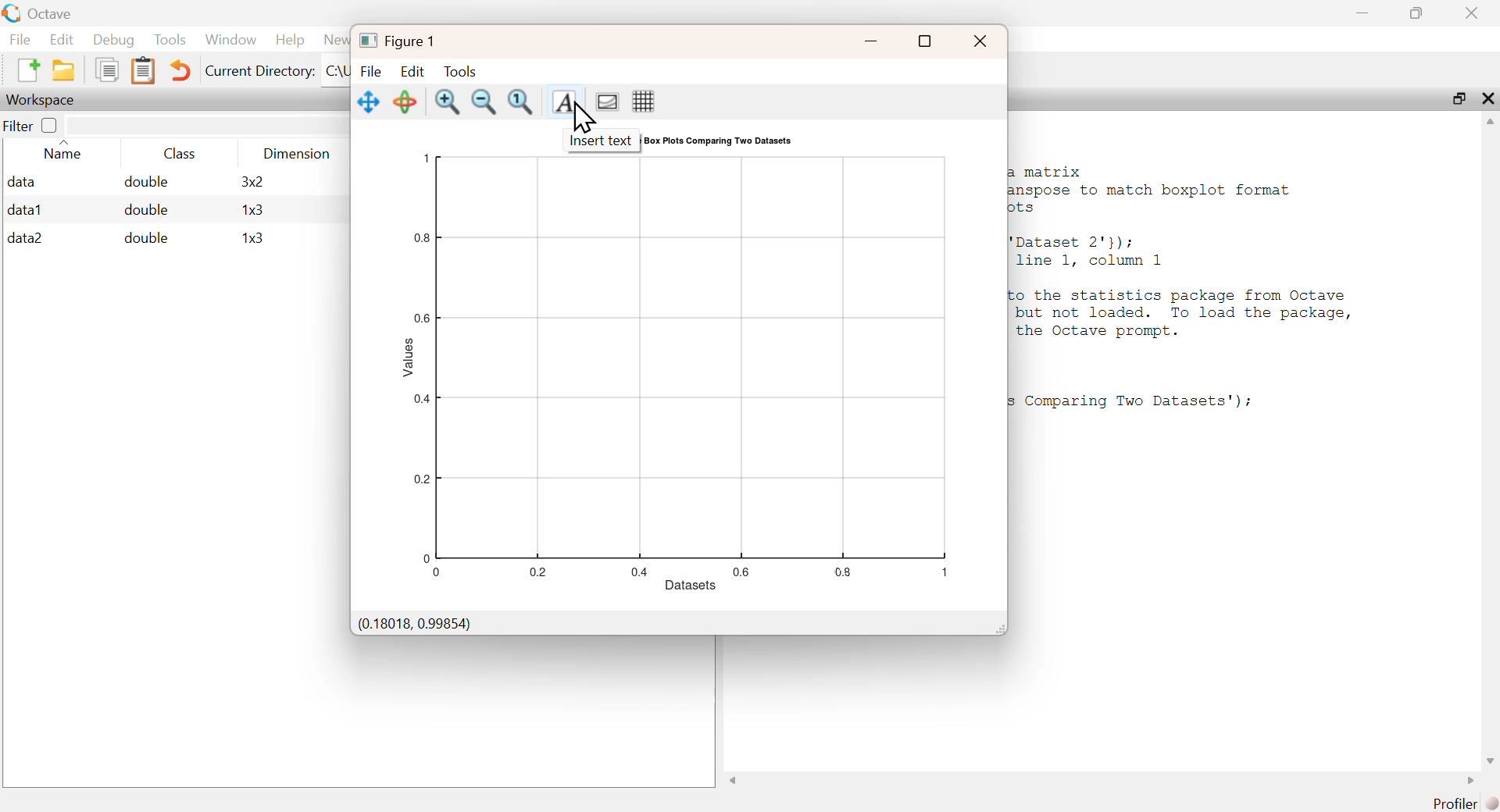  Describe the element at coordinates (252, 181) in the screenshot. I see `3x2` at that location.